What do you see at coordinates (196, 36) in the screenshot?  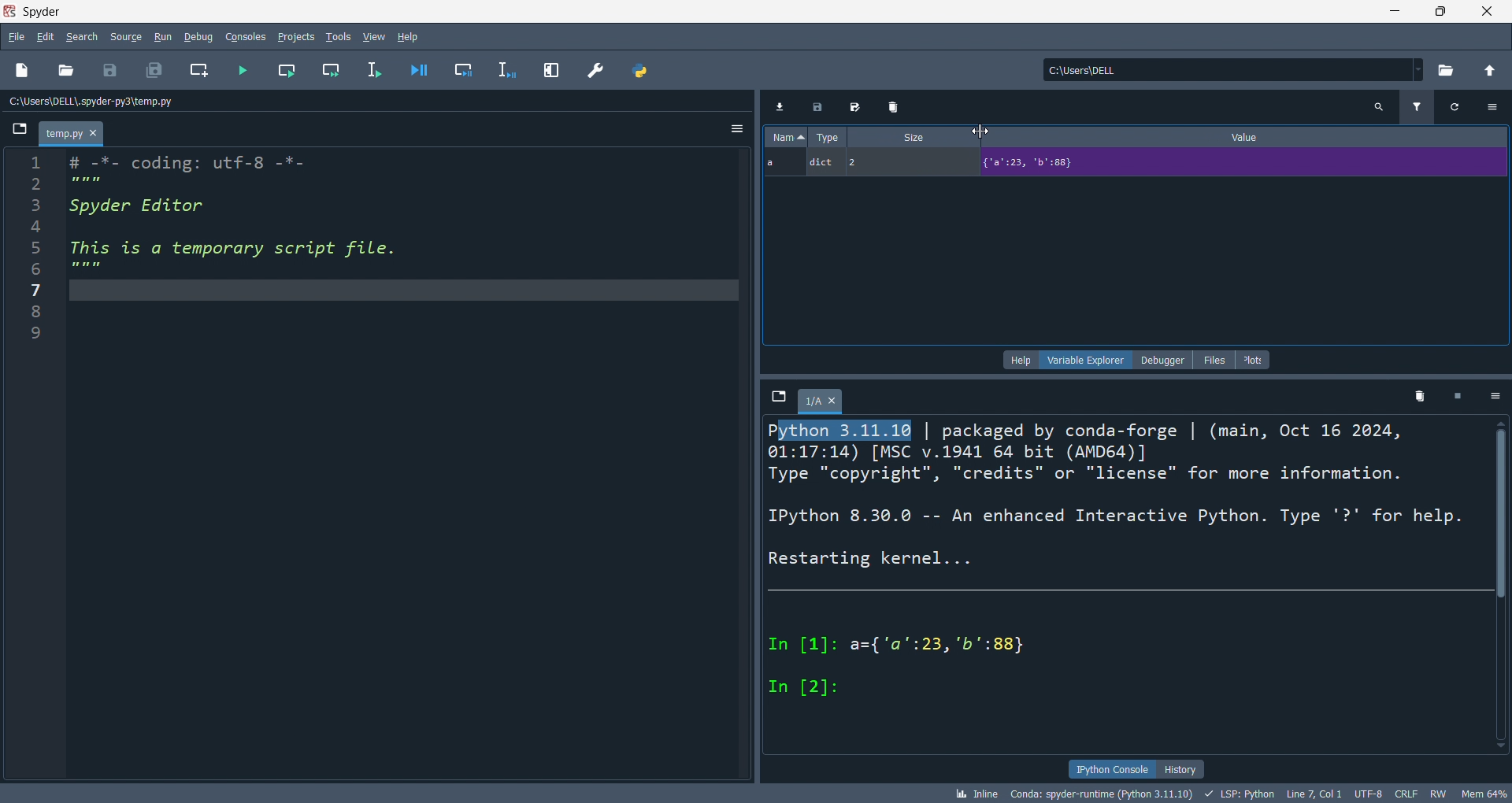 I see `debug` at bounding box center [196, 36].